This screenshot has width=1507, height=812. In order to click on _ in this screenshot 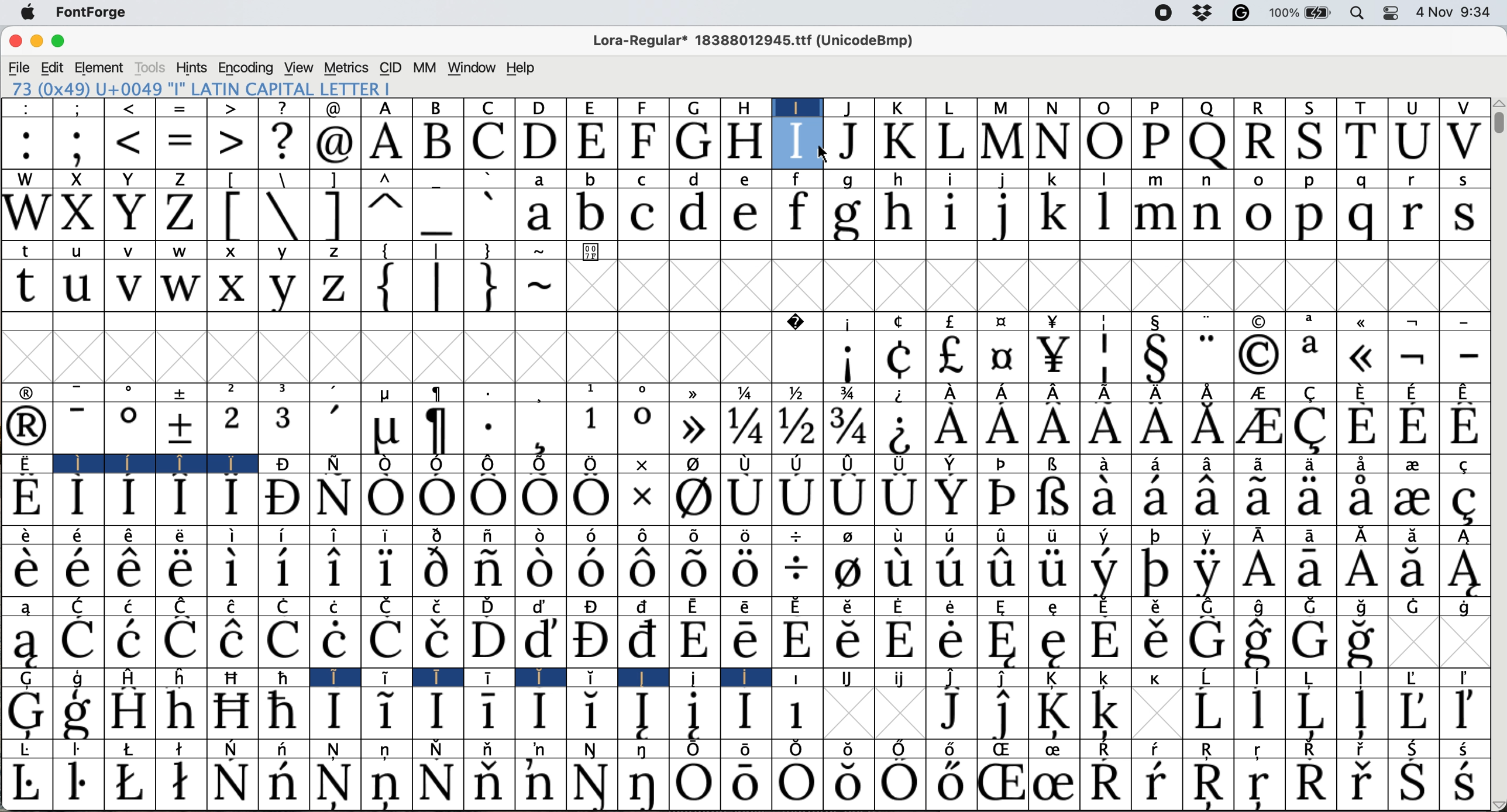, I will do `click(435, 215)`.